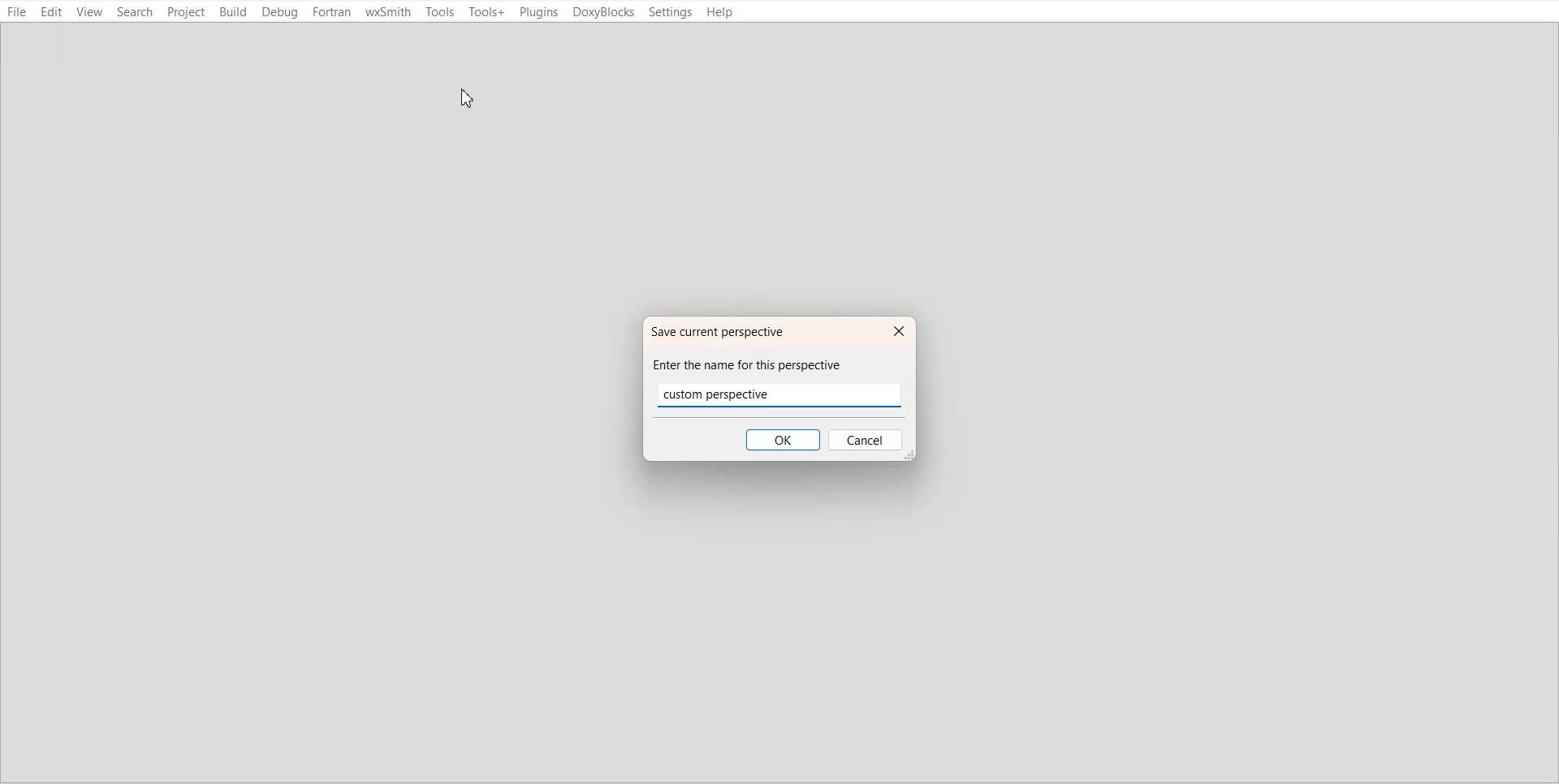 This screenshot has width=1559, height=784. What do you see at coordinates (671, 12) in the screenshot?
I see `Settings` at bounding box center [671, 12].